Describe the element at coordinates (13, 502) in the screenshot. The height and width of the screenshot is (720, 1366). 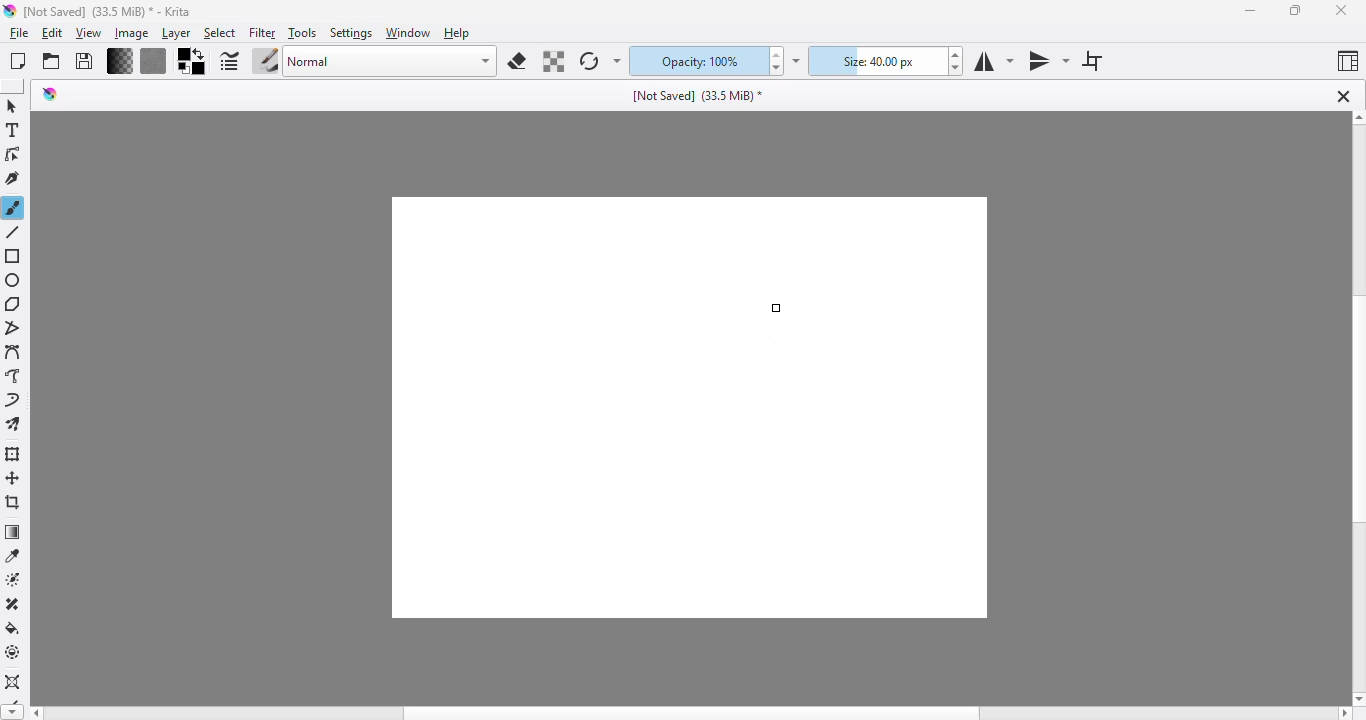
I see `crop the image to an area` at that location.